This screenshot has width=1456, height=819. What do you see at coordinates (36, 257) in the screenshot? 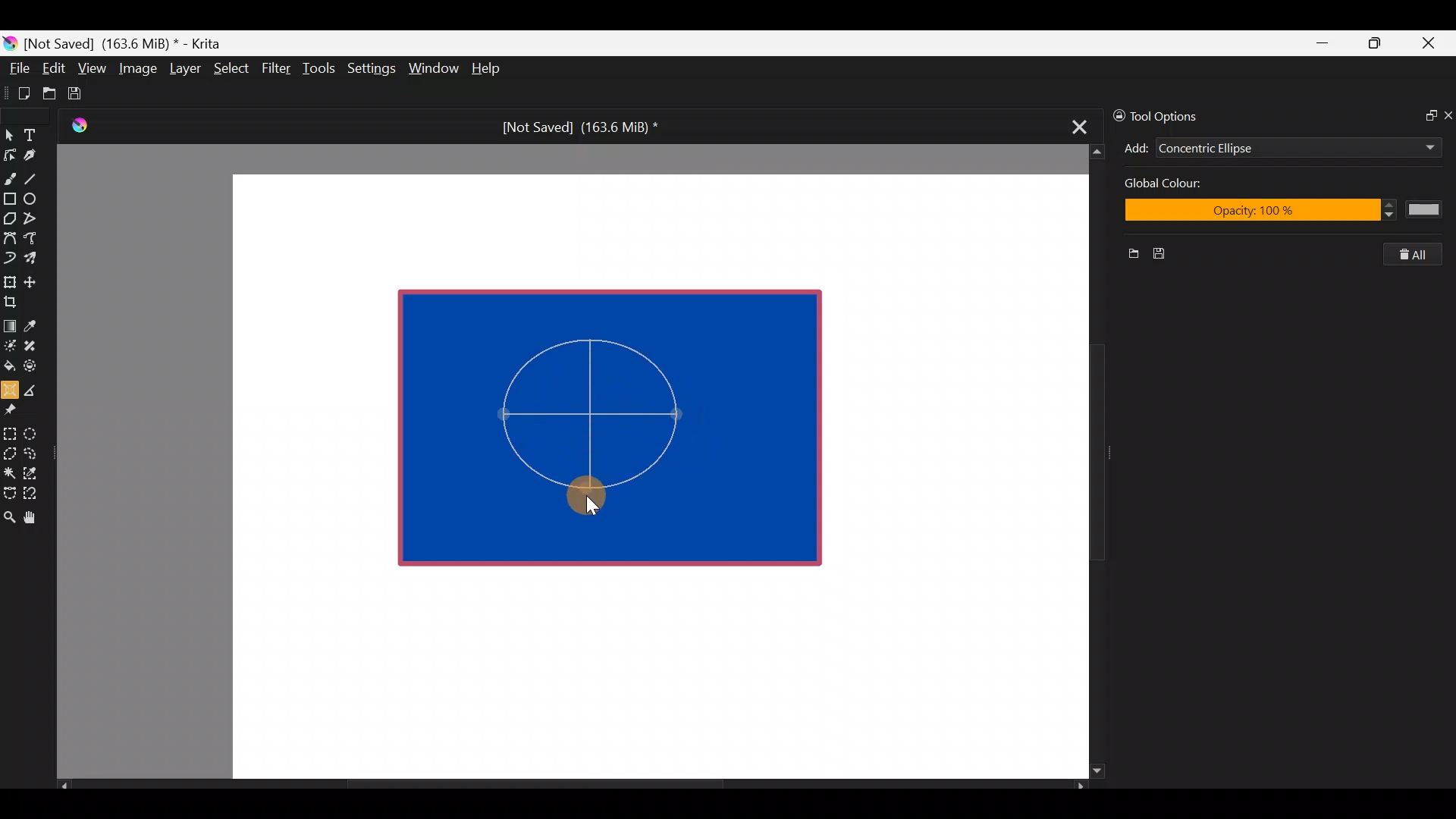
I see `Multibrush tool` at bounding box center [36, 257].